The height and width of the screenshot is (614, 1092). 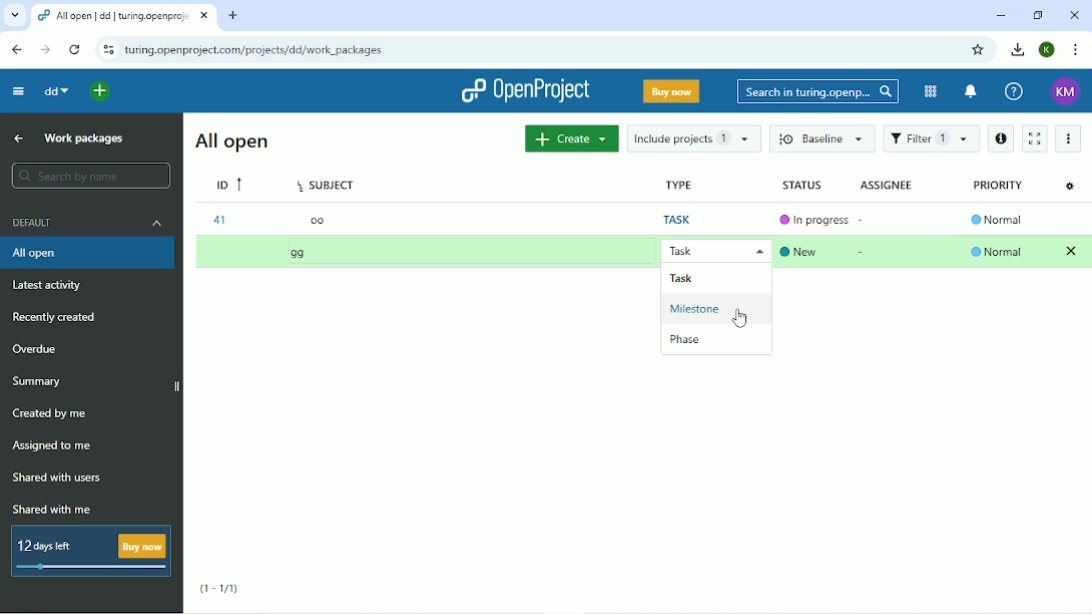 I want to click on Open quick add menu, so click(x=100, y=92).